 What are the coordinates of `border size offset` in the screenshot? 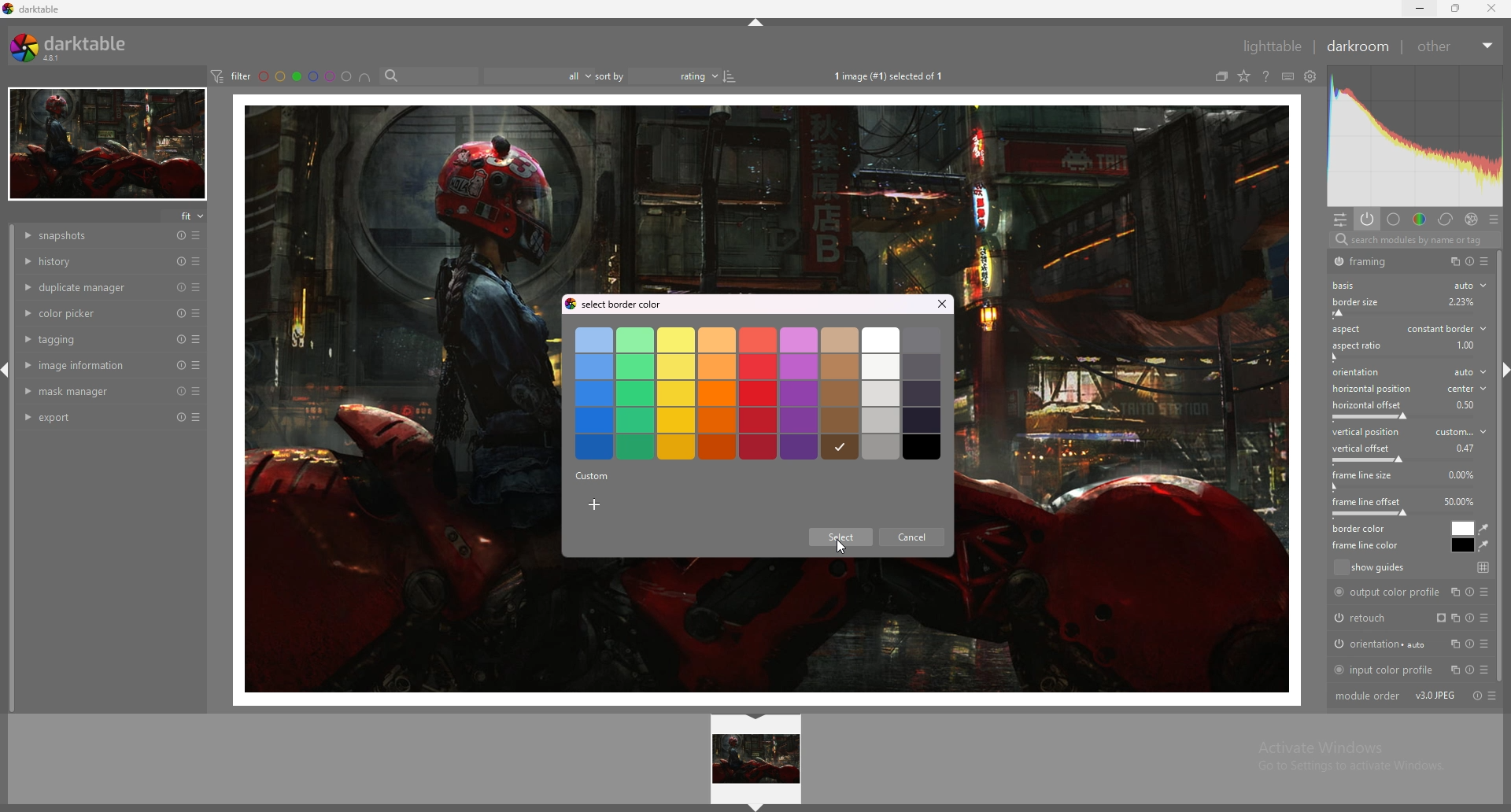 It's located at (1408, 316).